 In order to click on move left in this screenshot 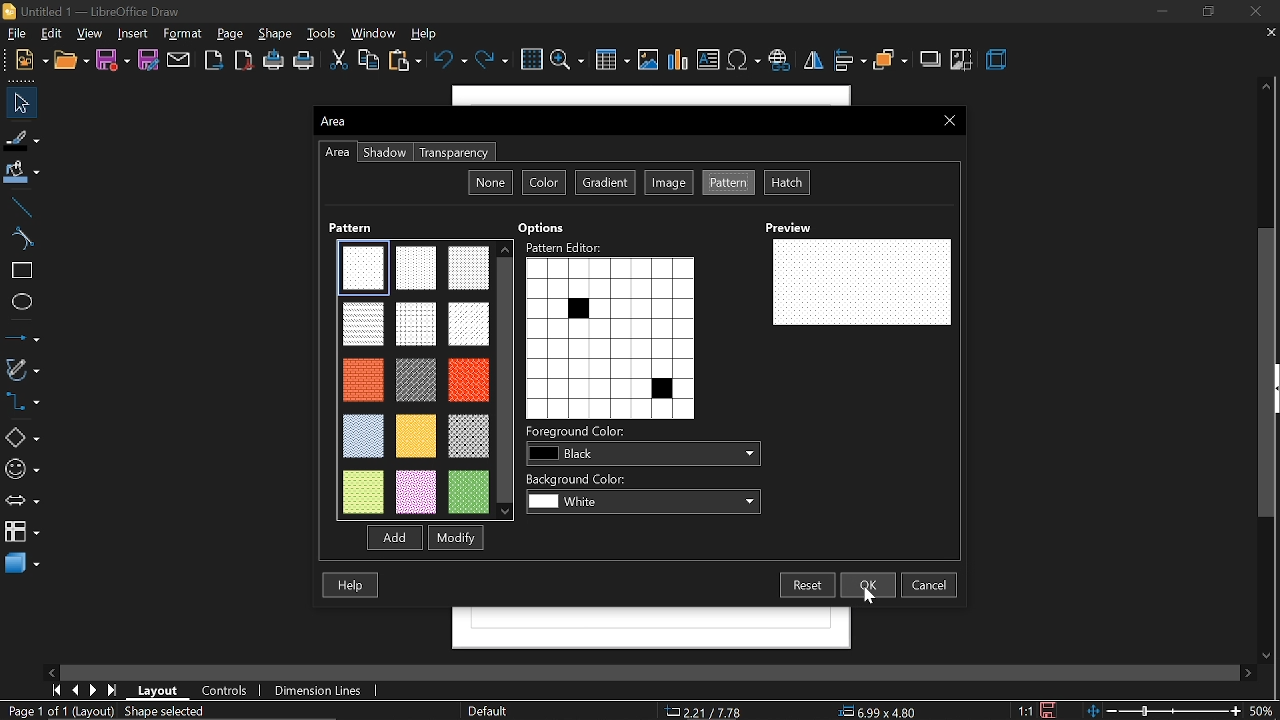, I will do `click(51, 671)`.